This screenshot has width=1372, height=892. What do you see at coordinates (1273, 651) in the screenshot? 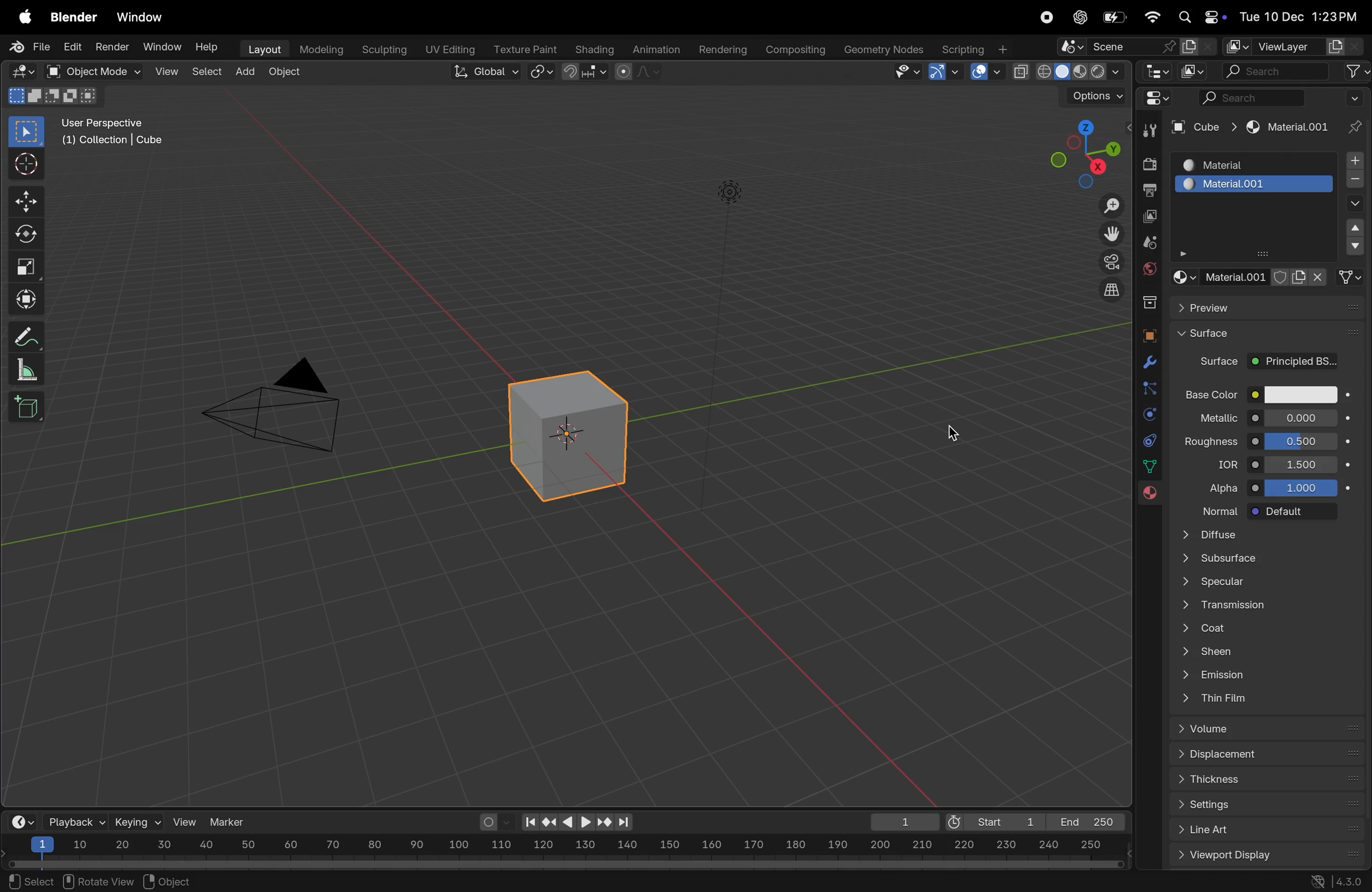
I see `sheen` at bounding box center [1273, 651].